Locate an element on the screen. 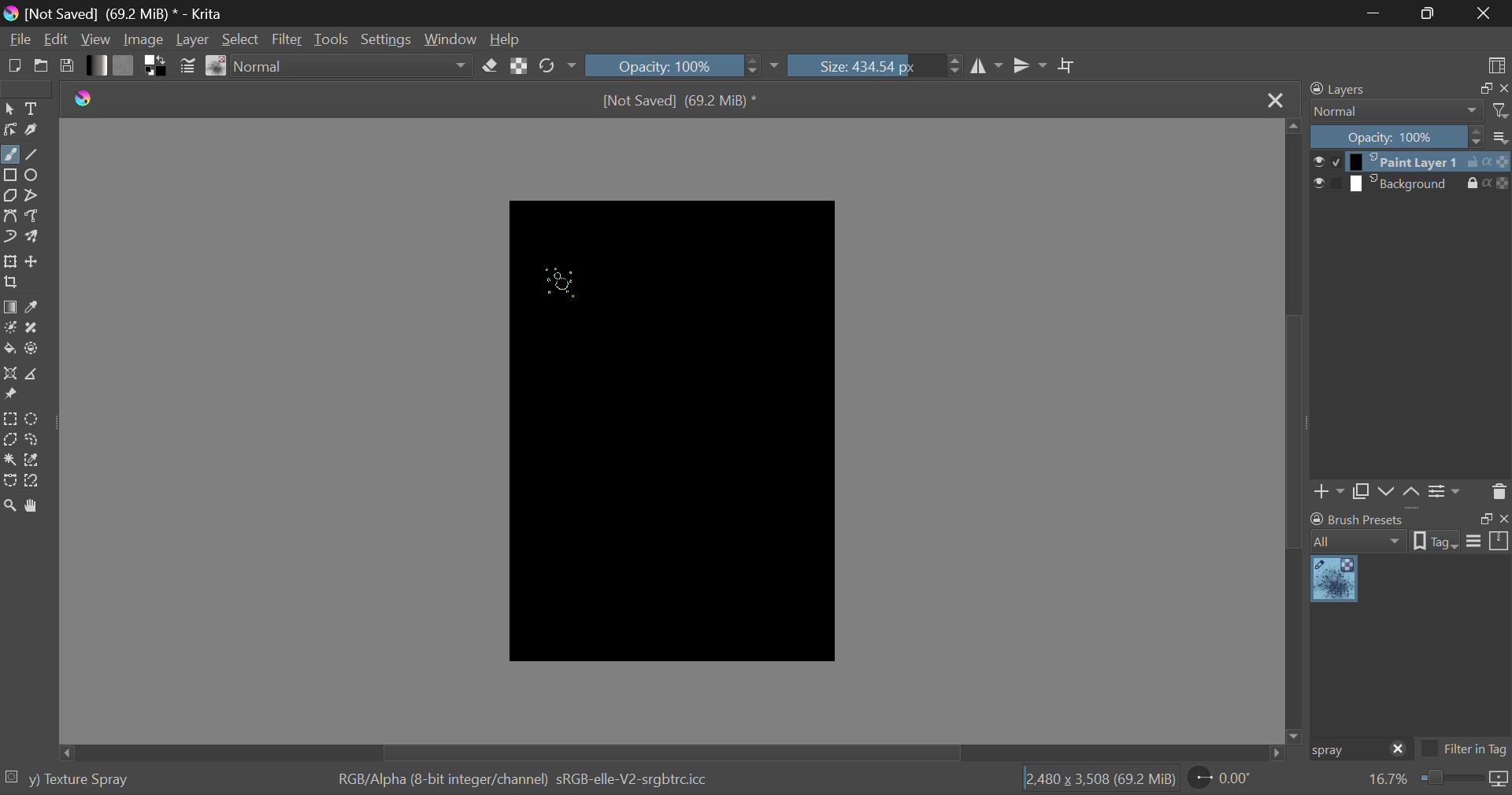 This screenshot has height=795, width=1512. more is located at coordinates (1501, 136).